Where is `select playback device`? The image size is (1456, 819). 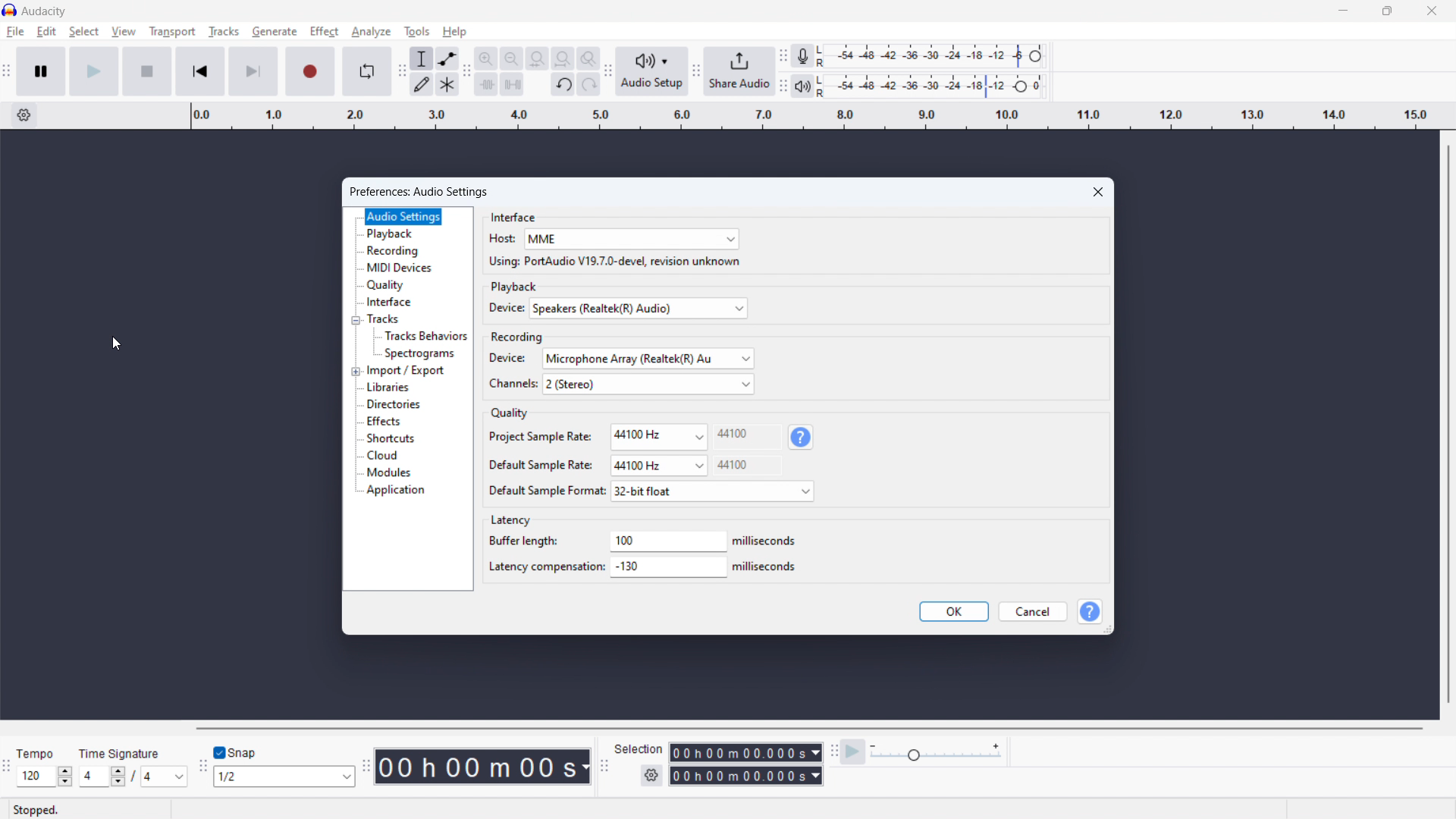
select playback device is located at coordinates (639, 308).